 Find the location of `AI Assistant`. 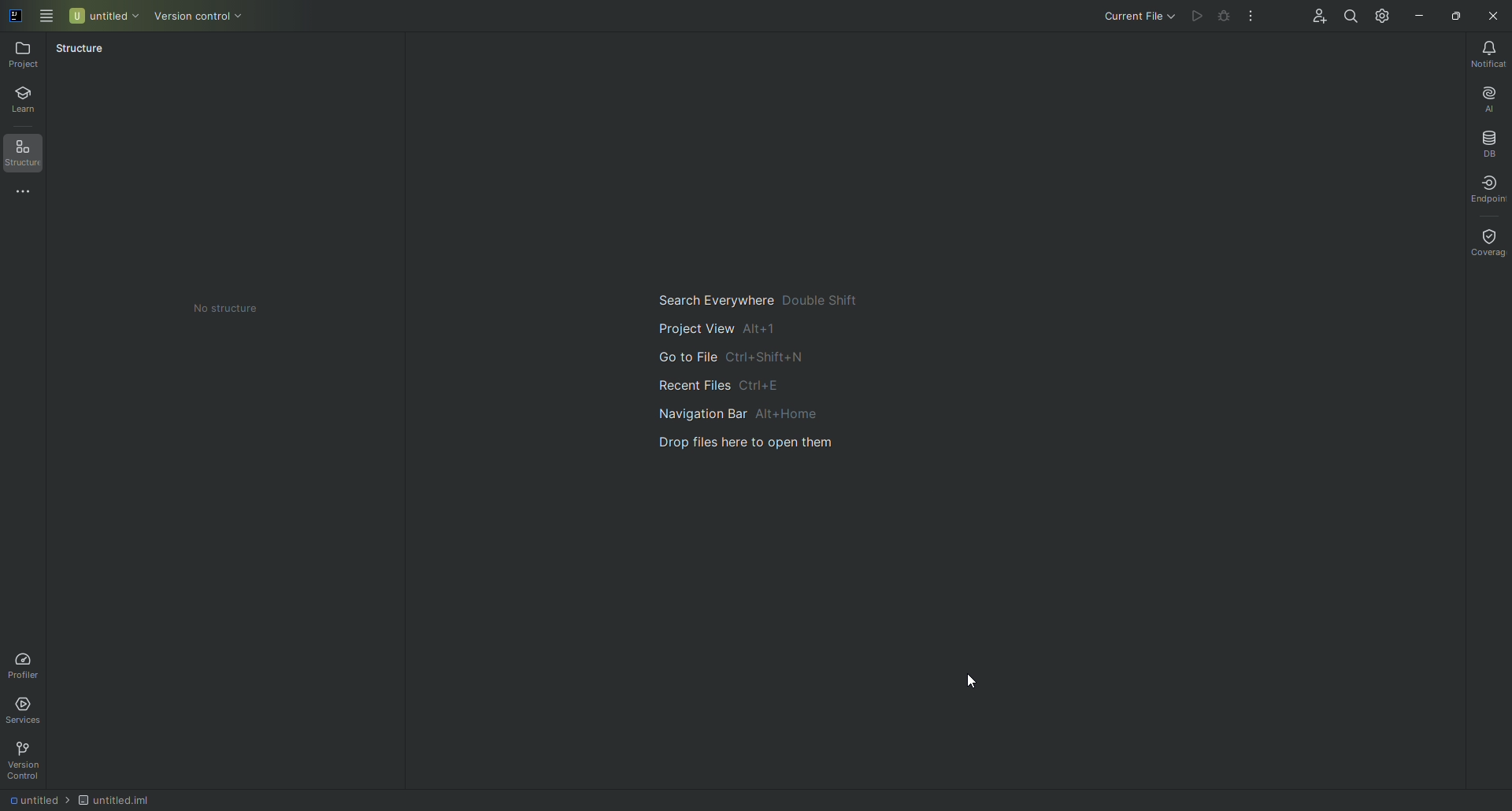

AI Assistant is located at coordinates (1489, 98).